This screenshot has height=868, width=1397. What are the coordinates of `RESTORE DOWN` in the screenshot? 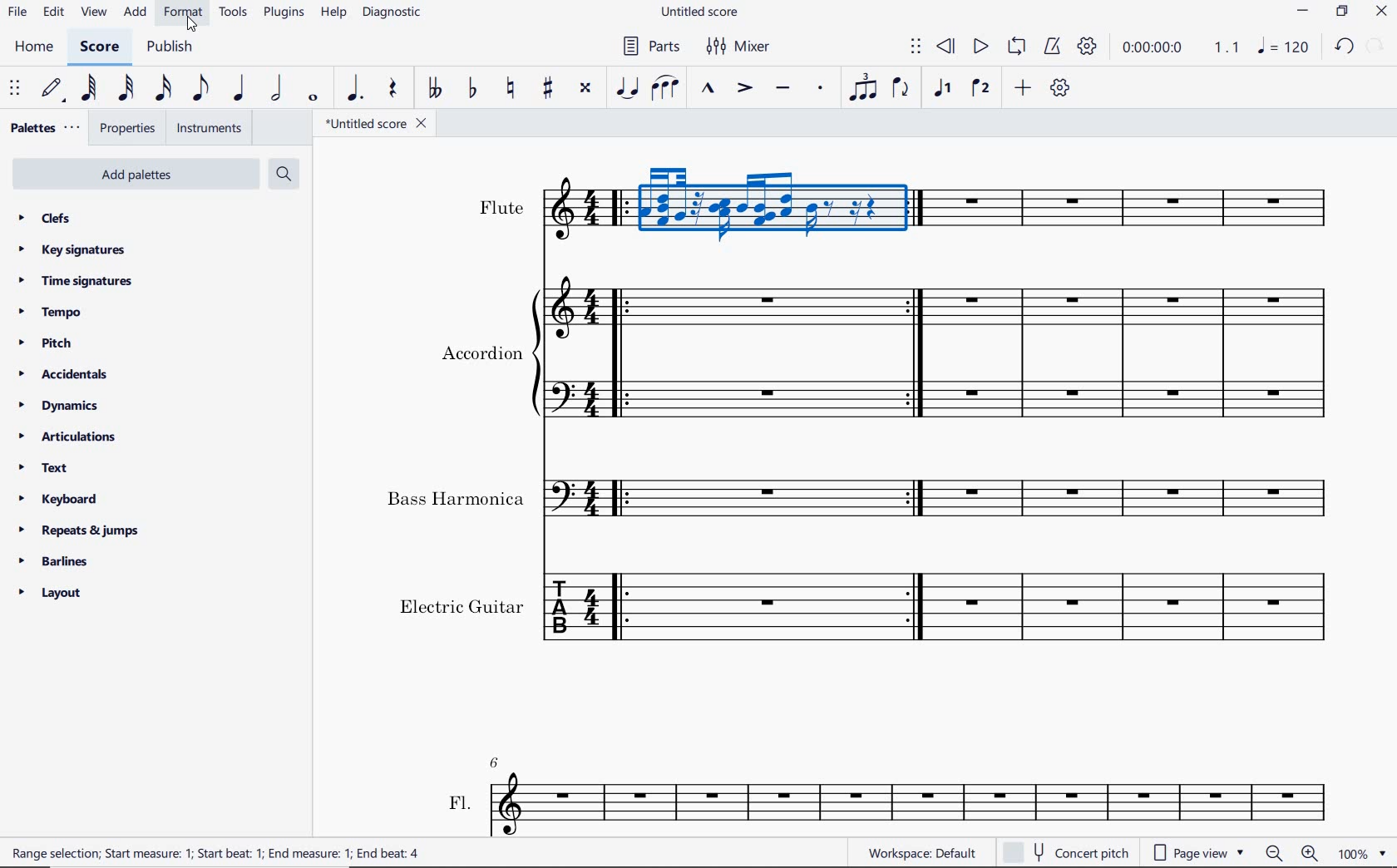 It's located at (1342, 13).